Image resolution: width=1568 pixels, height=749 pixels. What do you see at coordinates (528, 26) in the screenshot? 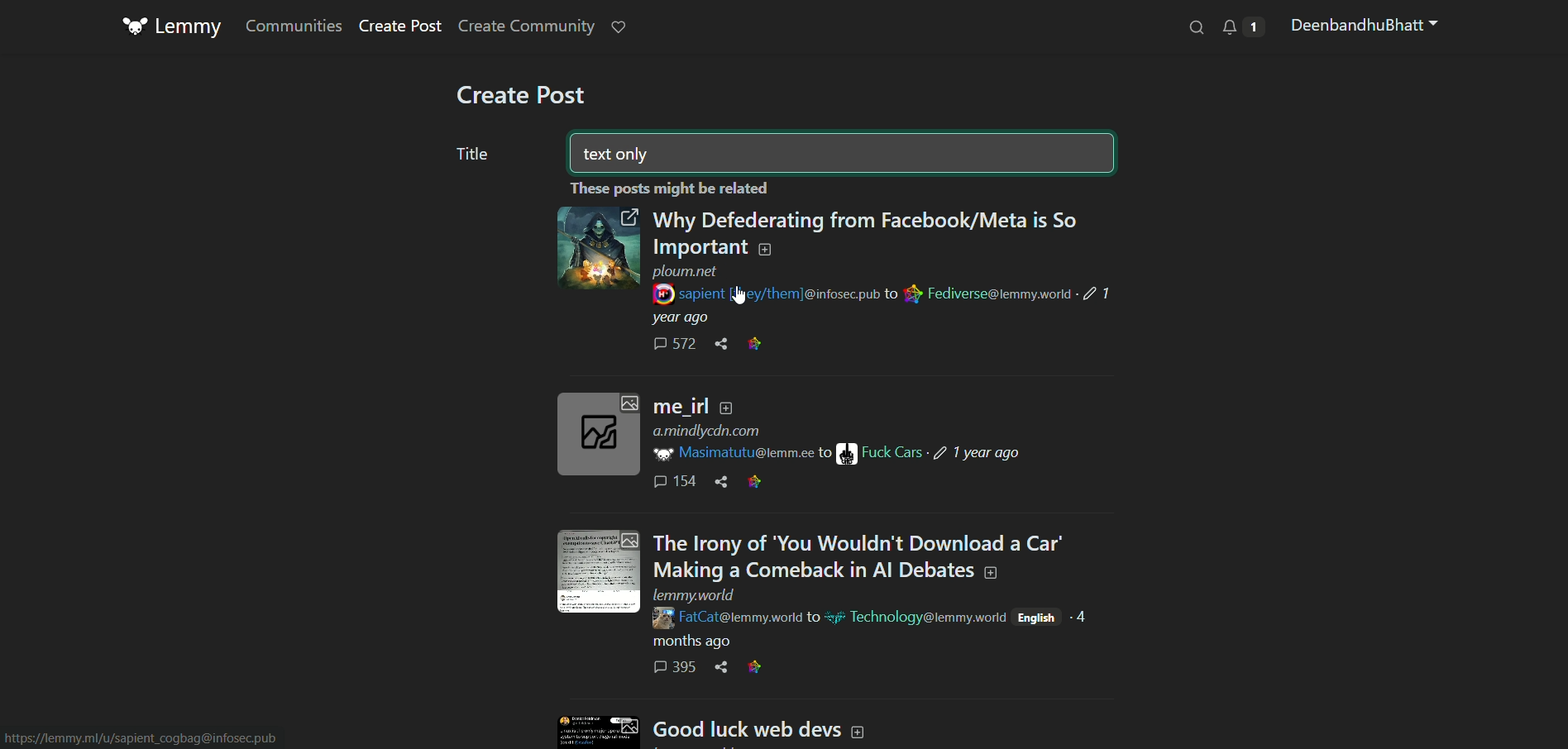
I see `create community` at bounding box center [528, 26].